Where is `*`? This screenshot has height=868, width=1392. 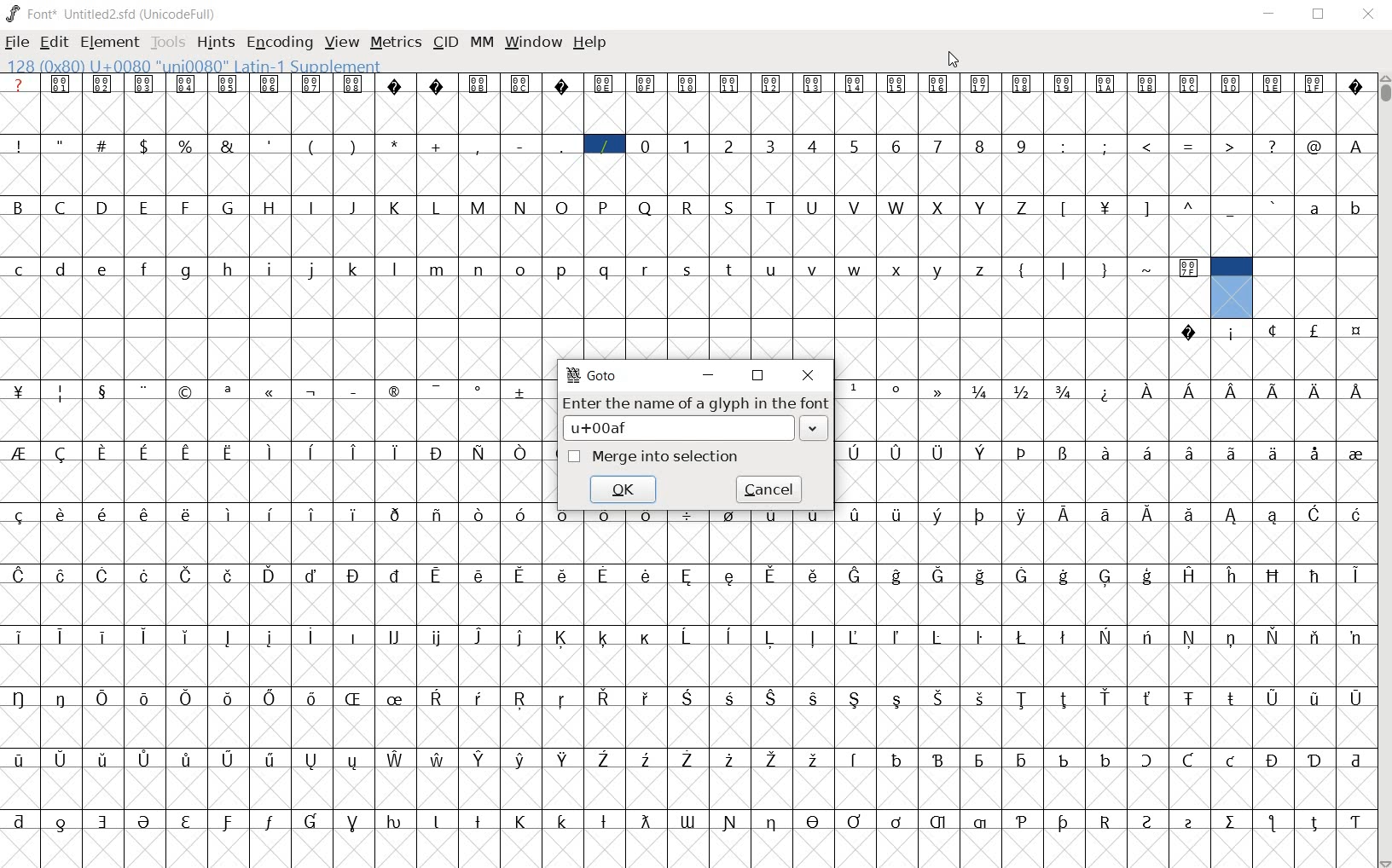
* is located at coordinates (396, 144).